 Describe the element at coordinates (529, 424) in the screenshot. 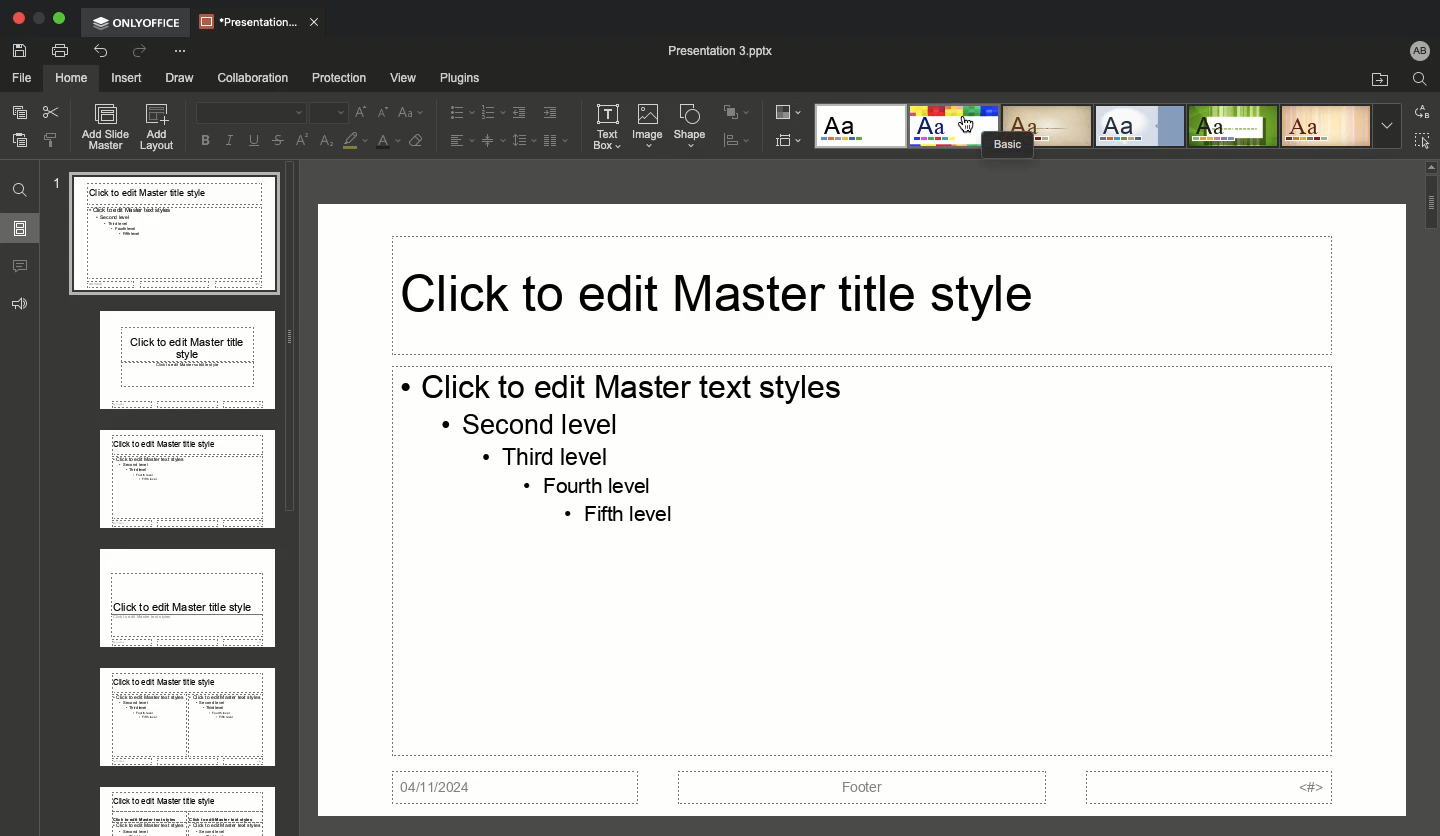

I see `+ Second level` at that location.